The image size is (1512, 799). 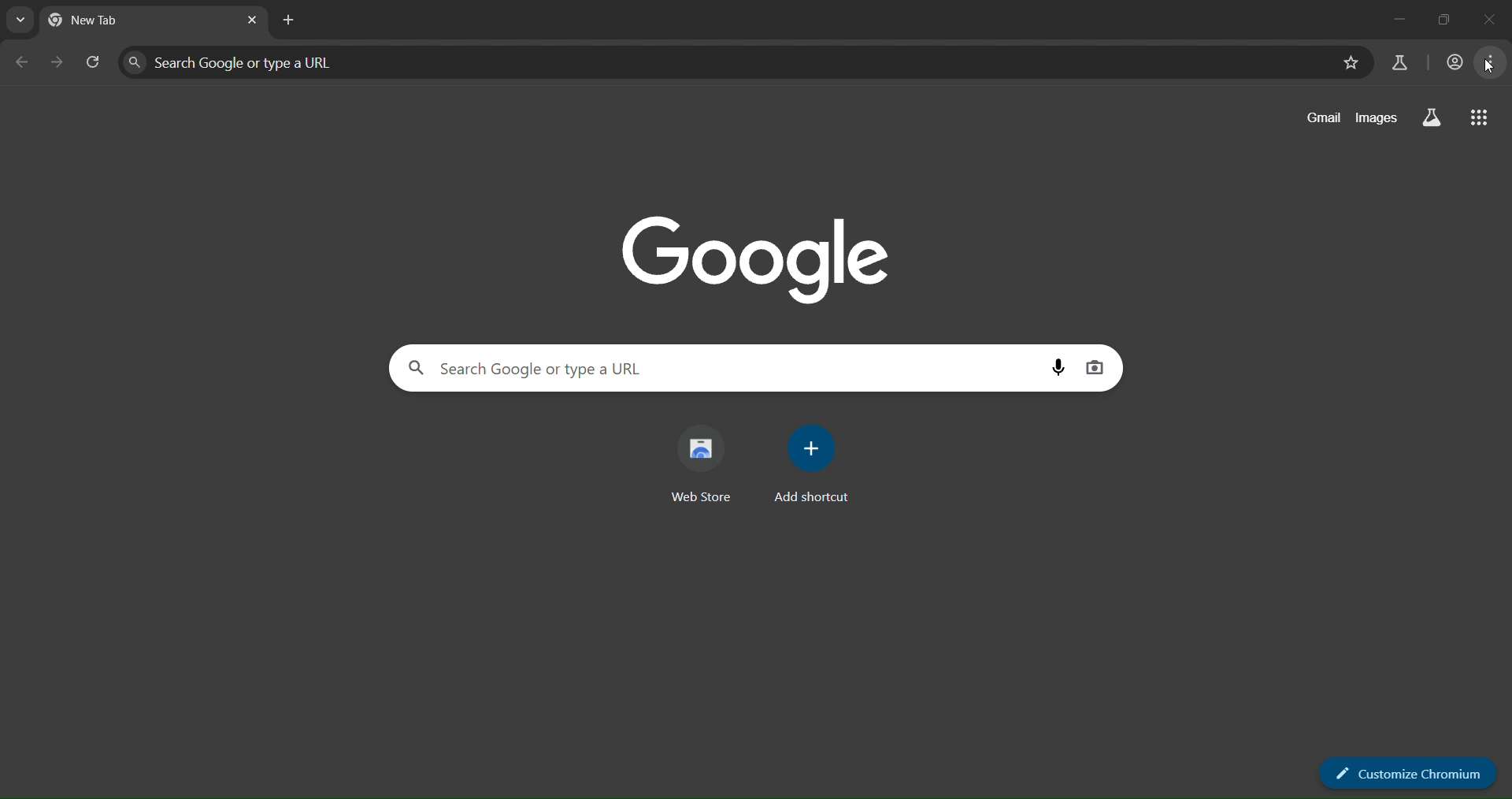 What do you see at coordinates (700, 460) in the screenshot?
I see `web store` at bounding box center [700, 460].